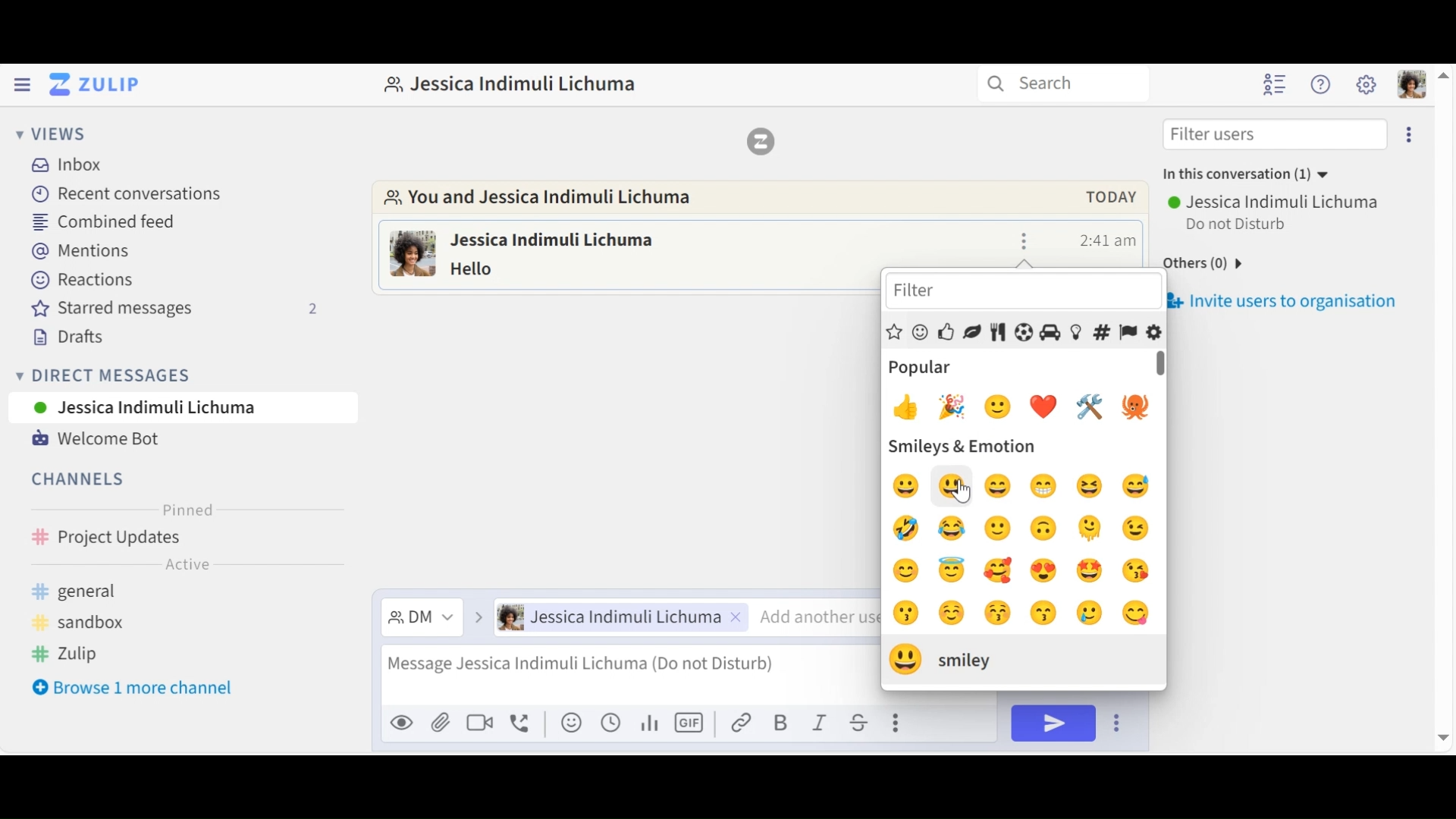  I want to click on Upload File, so click(441, 725).